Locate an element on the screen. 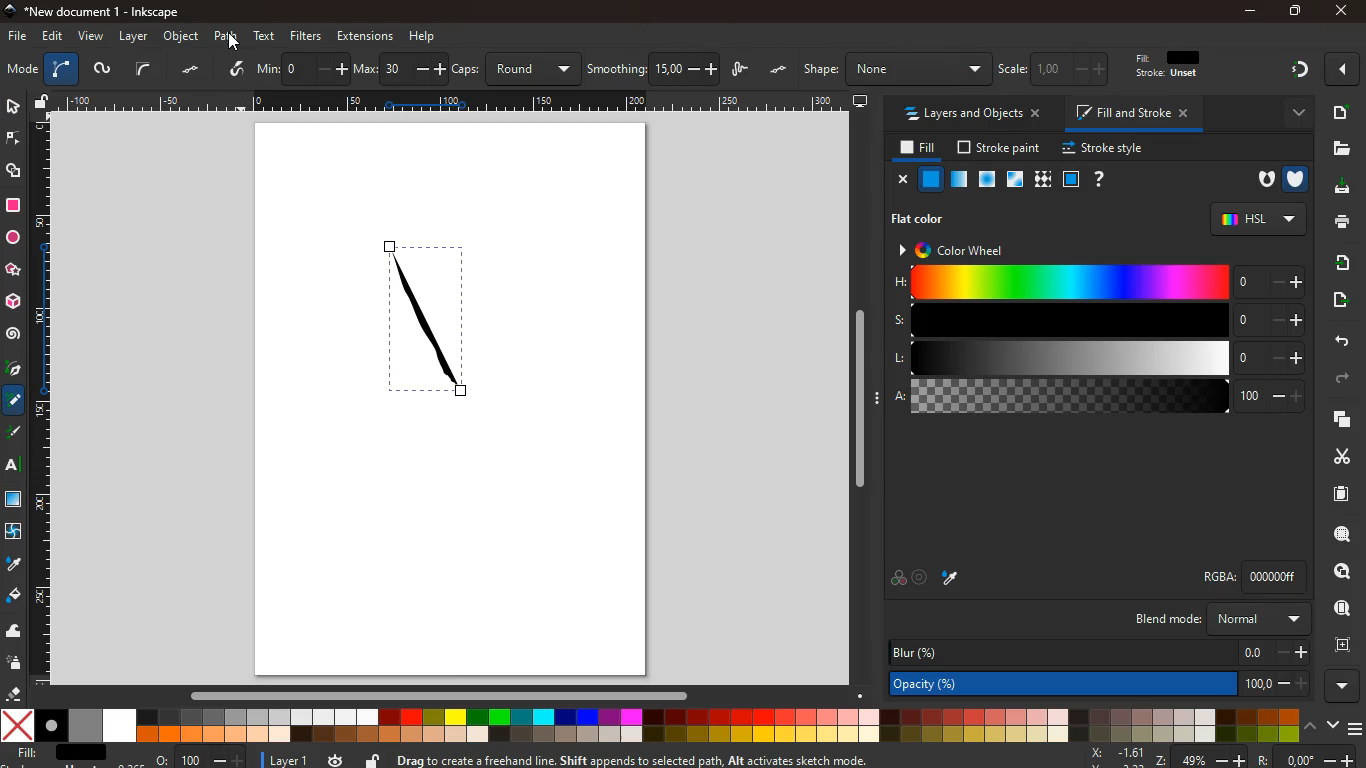 The image size is (1366, 768). file is located at coordinates (18, 37).